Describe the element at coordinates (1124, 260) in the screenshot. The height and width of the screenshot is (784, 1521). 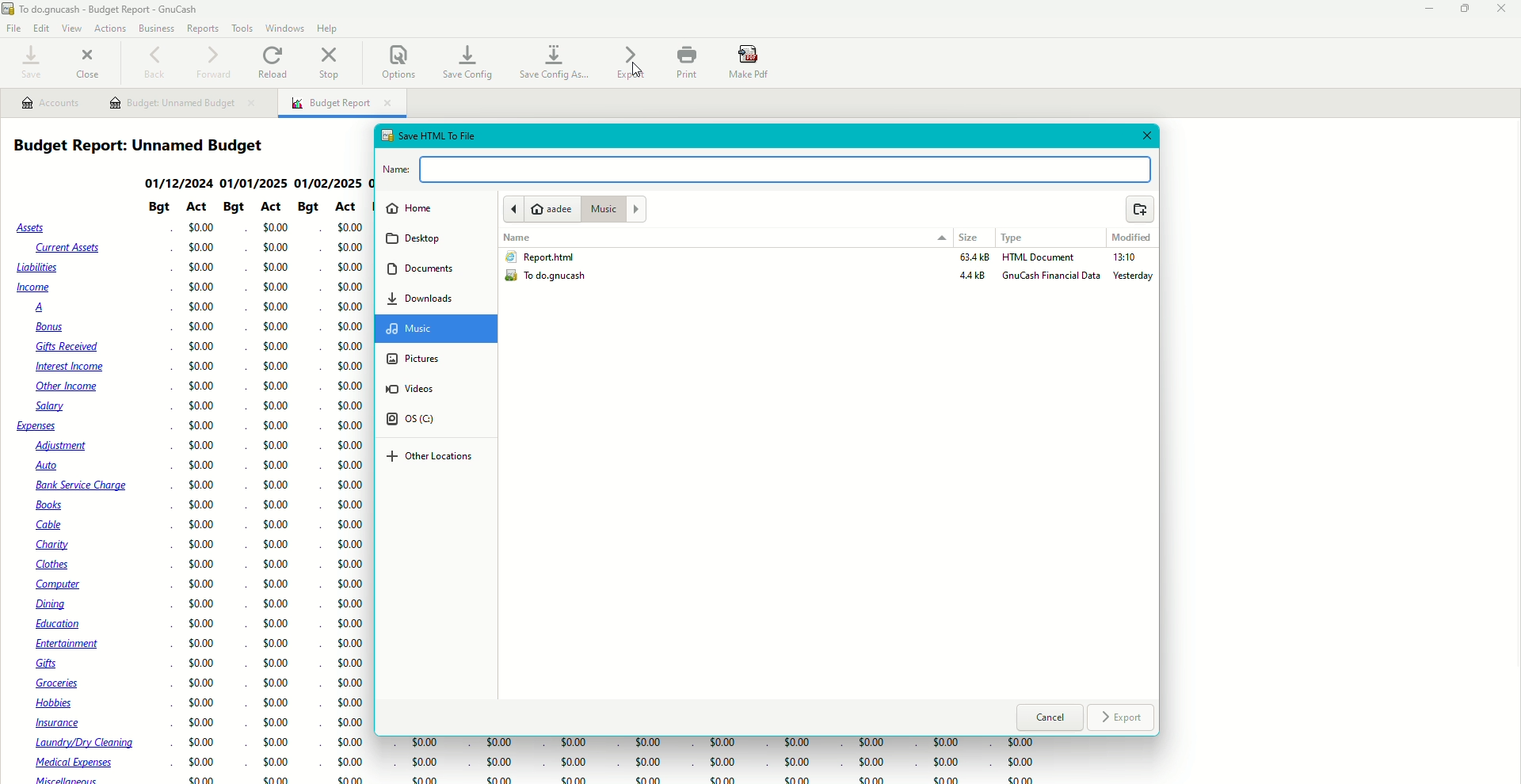
I see `Time` at that location.